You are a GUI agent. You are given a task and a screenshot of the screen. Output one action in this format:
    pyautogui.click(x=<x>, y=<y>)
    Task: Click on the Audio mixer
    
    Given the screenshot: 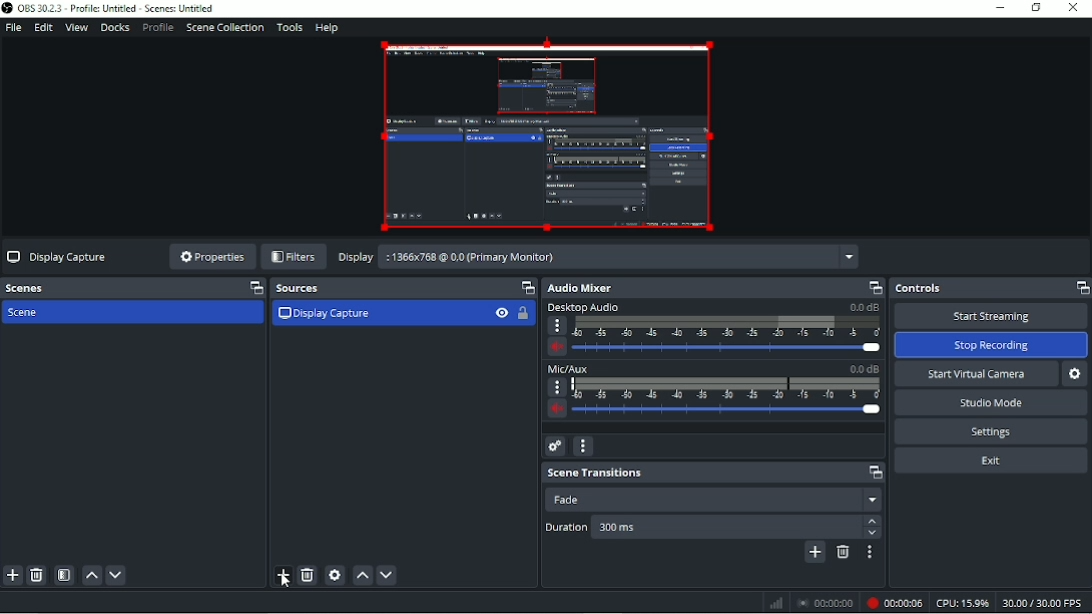 What is the action you would take?
    pyautogui.click(x=713, y=288)
    